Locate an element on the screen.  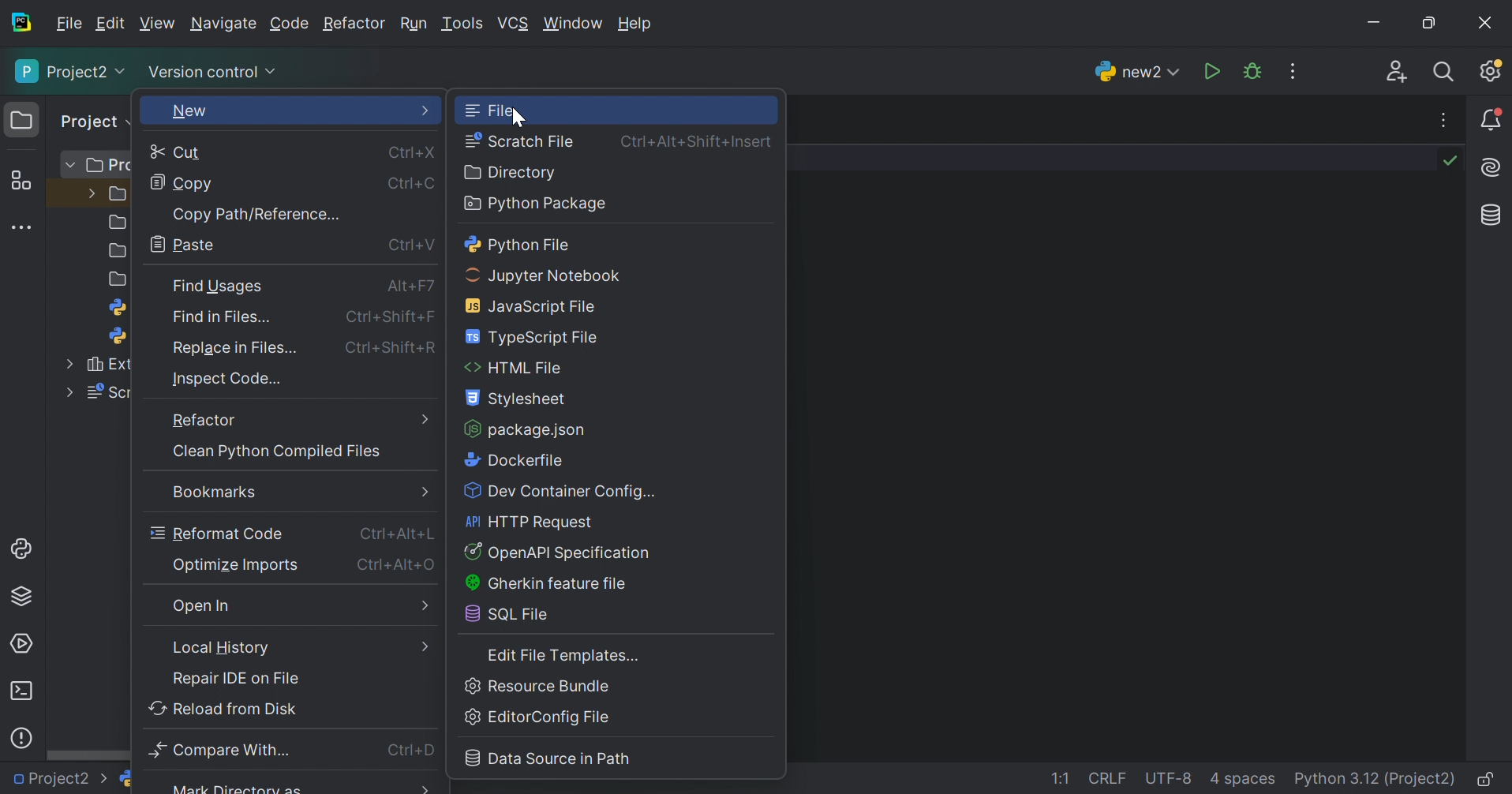
Refactor is located at coordinates (203, 421).